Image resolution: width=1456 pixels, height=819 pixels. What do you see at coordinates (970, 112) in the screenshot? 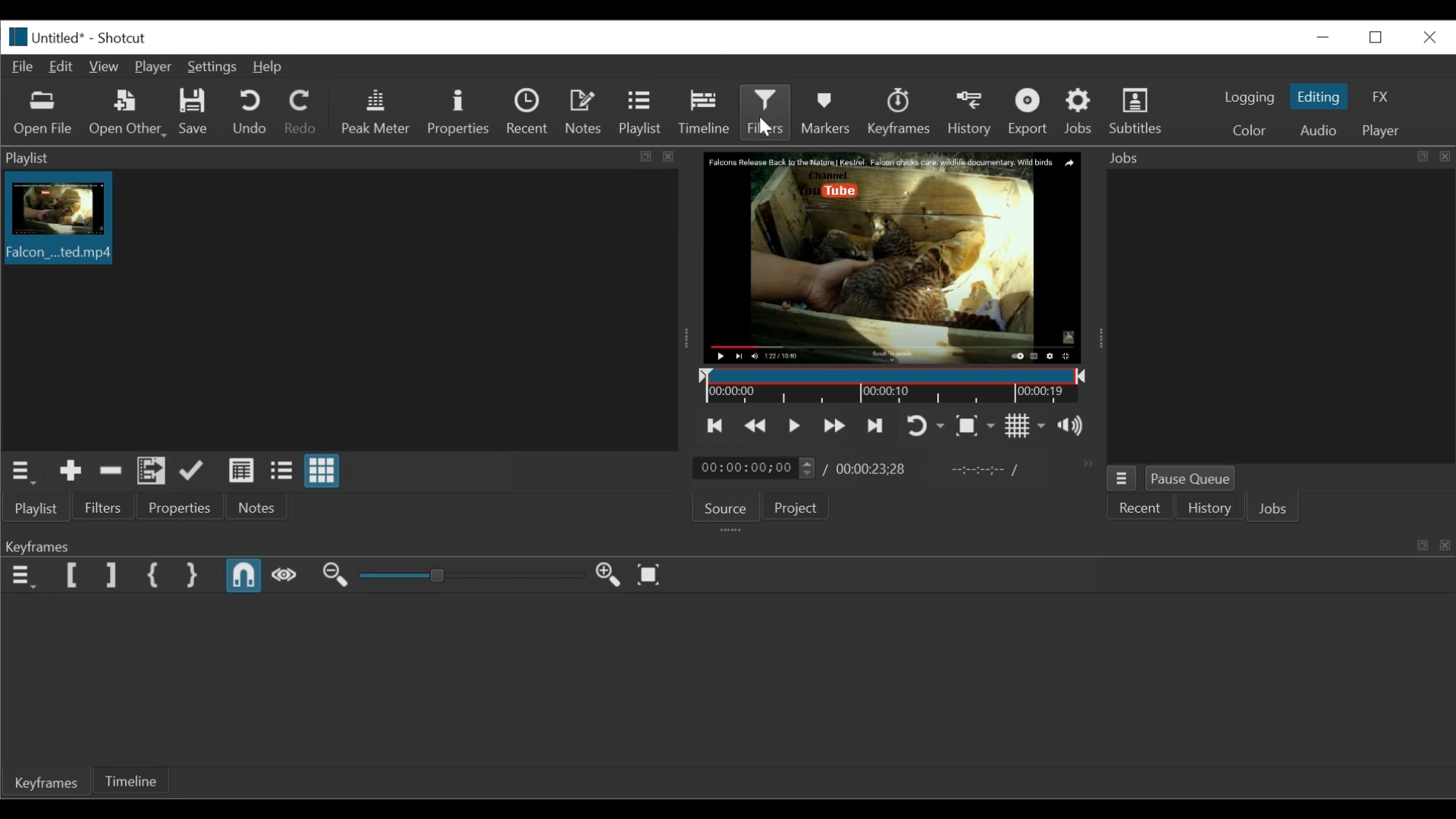
I see `History` at bounding box center [970, 112].